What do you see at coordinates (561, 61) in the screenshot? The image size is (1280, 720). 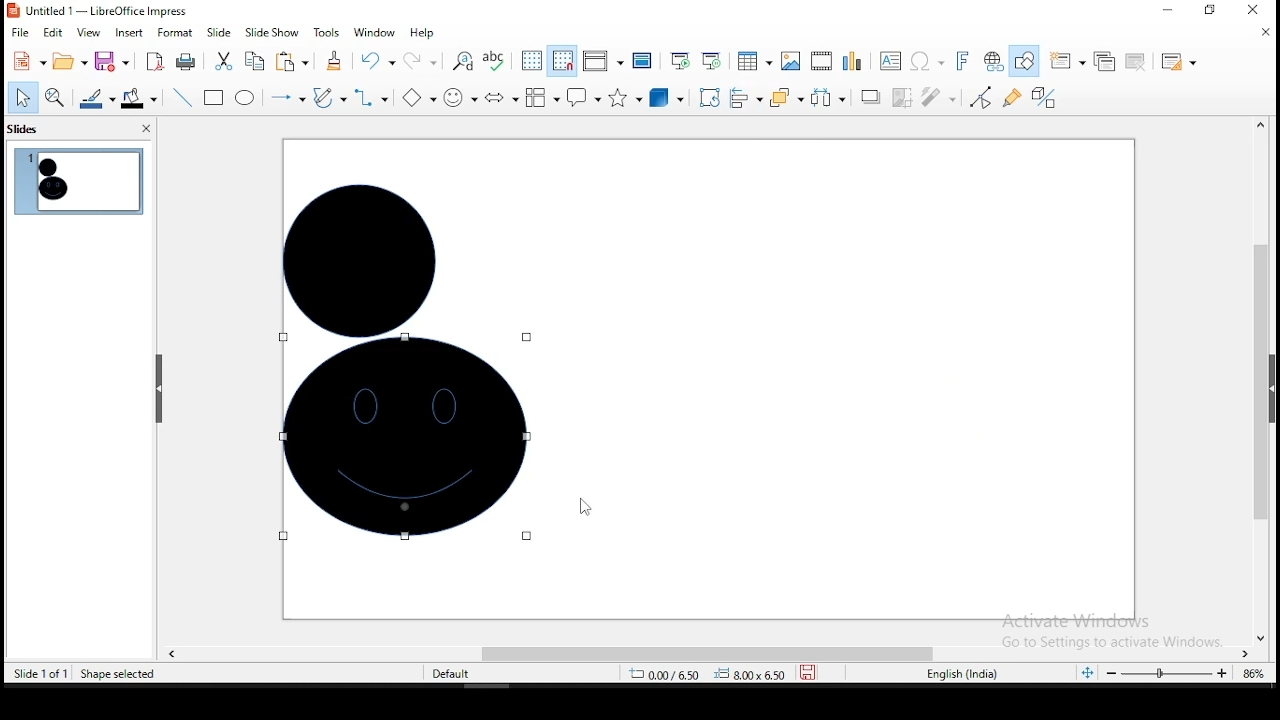 I see `snap to grid` at bounding box center [561, 61].